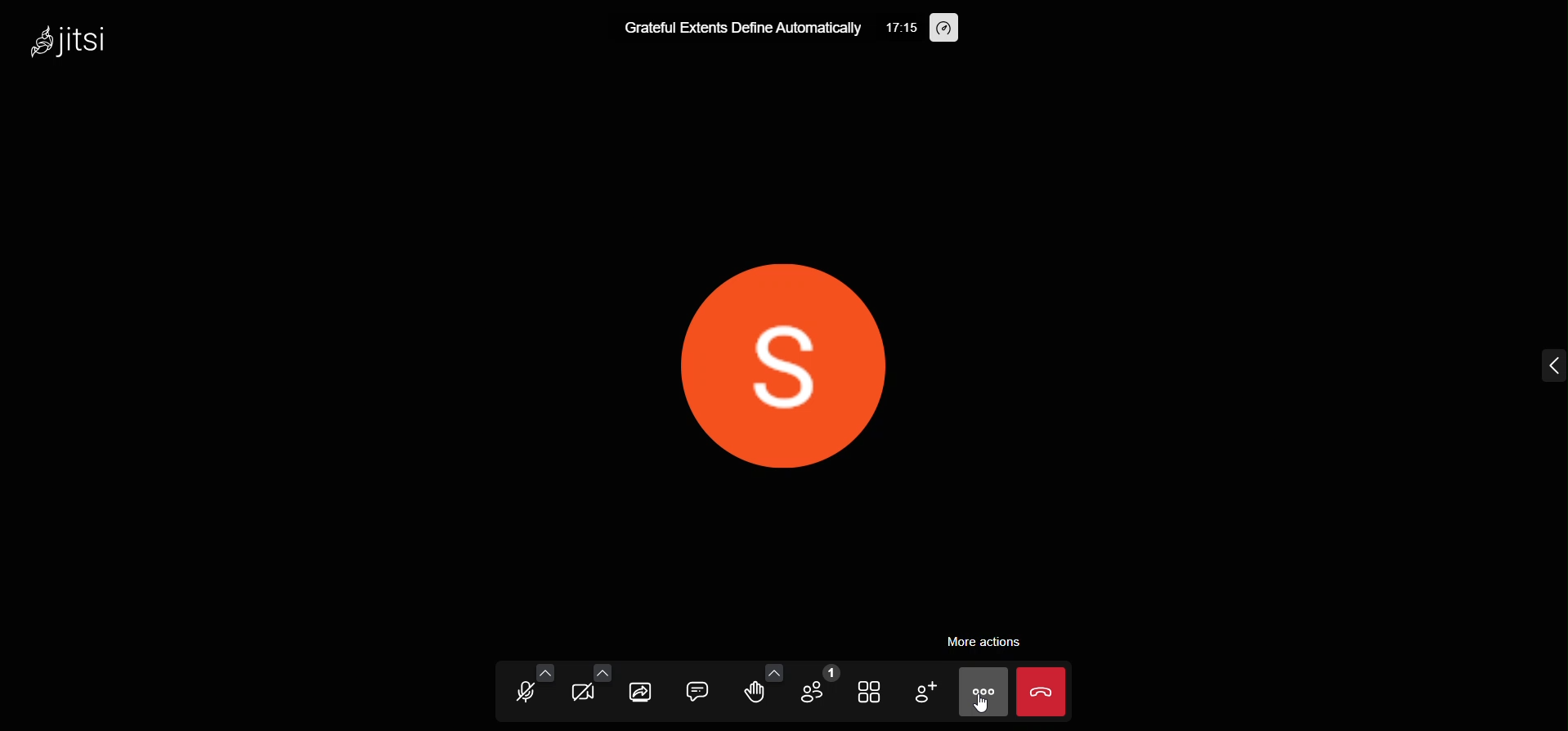 This screenshot has width=1568, height=731. What do you see at coordinates (925, 694) in the screenshot?
I see `invite people` at bounding box center [925, 694].